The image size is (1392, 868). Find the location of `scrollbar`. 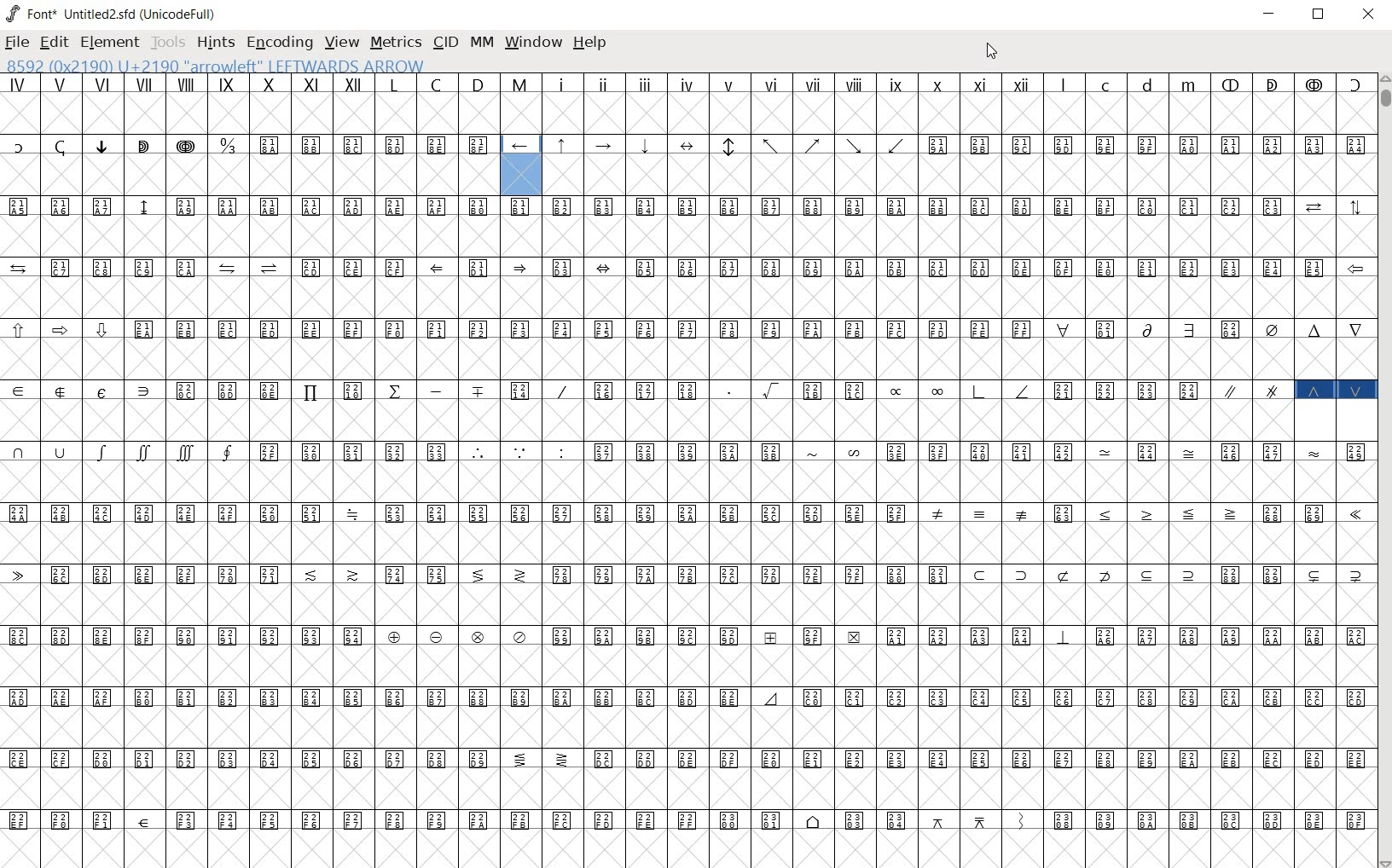

scrollbar is located at coordinates (1383, 471).